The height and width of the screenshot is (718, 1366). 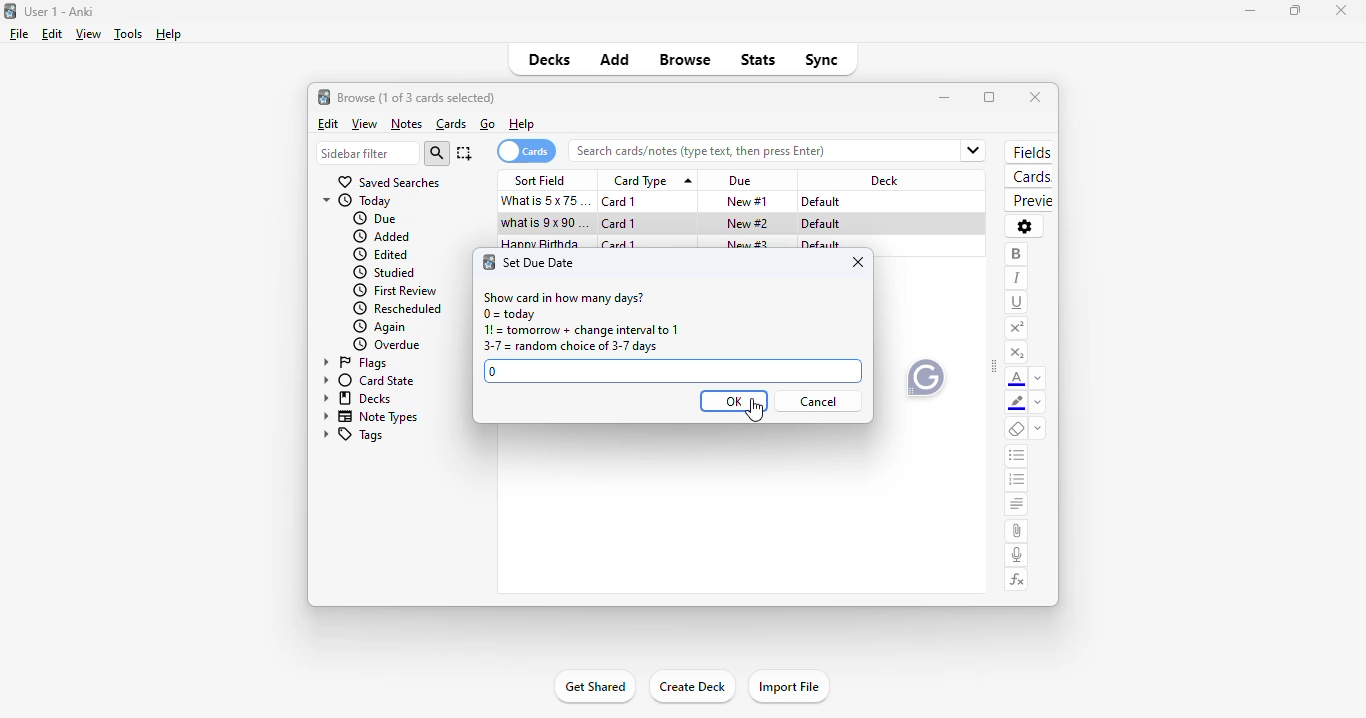 I want to click on superscript, so click(x=1017, y=328).